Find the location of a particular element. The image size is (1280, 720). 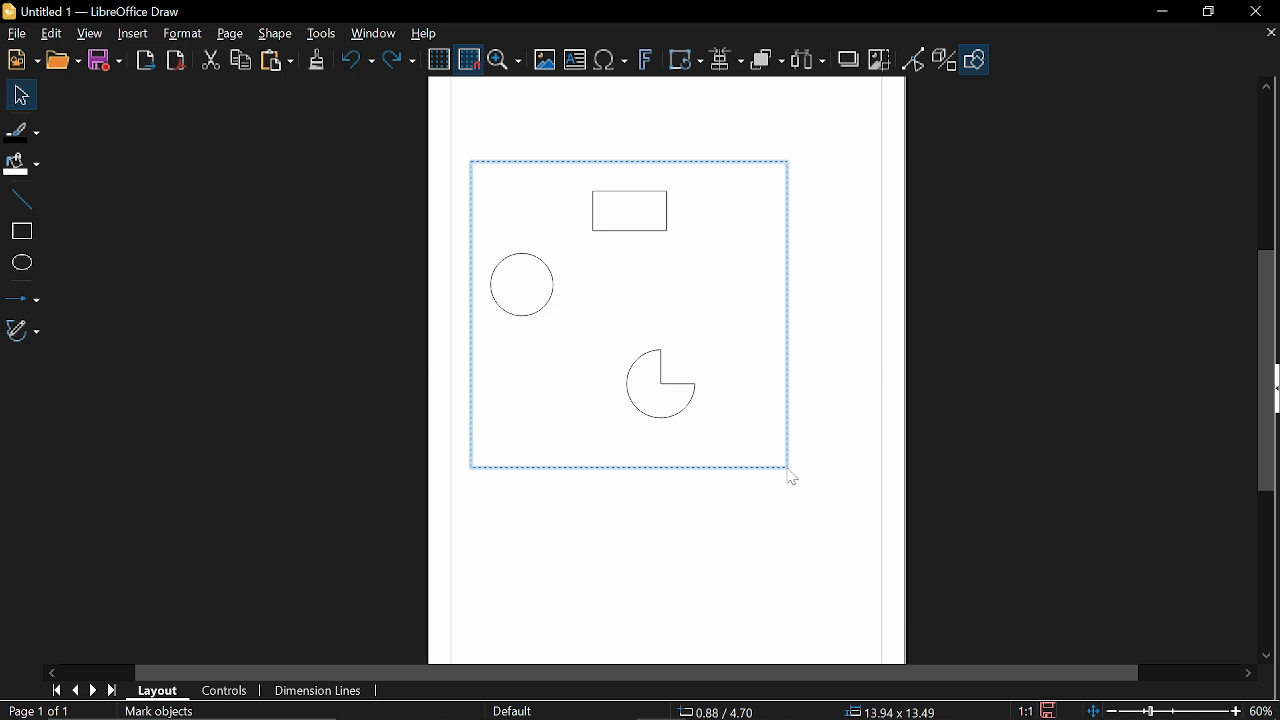

Redo is located at coordinates (400, 61).